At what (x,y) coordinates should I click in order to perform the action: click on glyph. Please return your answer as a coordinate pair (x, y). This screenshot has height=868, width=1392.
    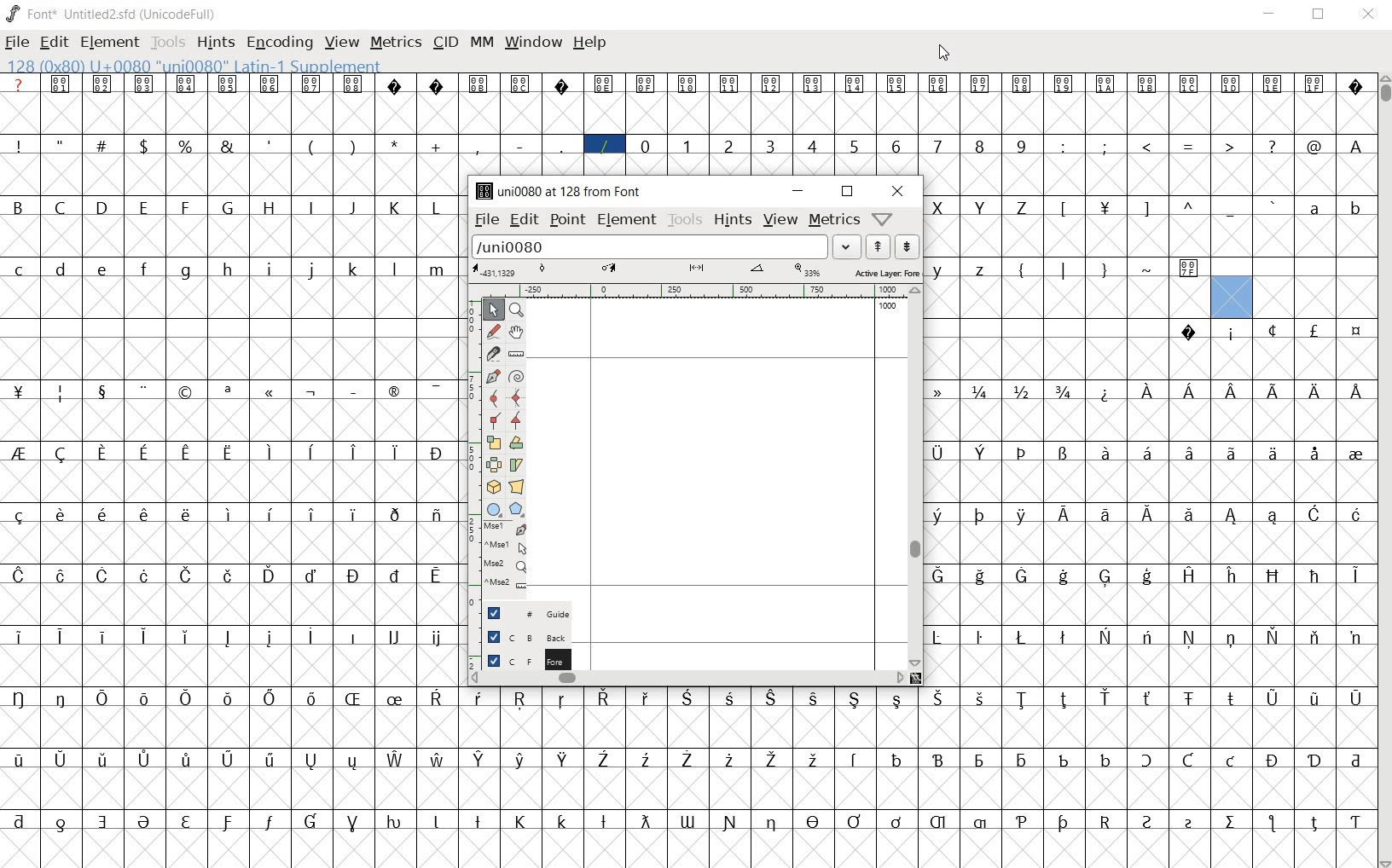
    Looking at the image, I should click on (102, 576).